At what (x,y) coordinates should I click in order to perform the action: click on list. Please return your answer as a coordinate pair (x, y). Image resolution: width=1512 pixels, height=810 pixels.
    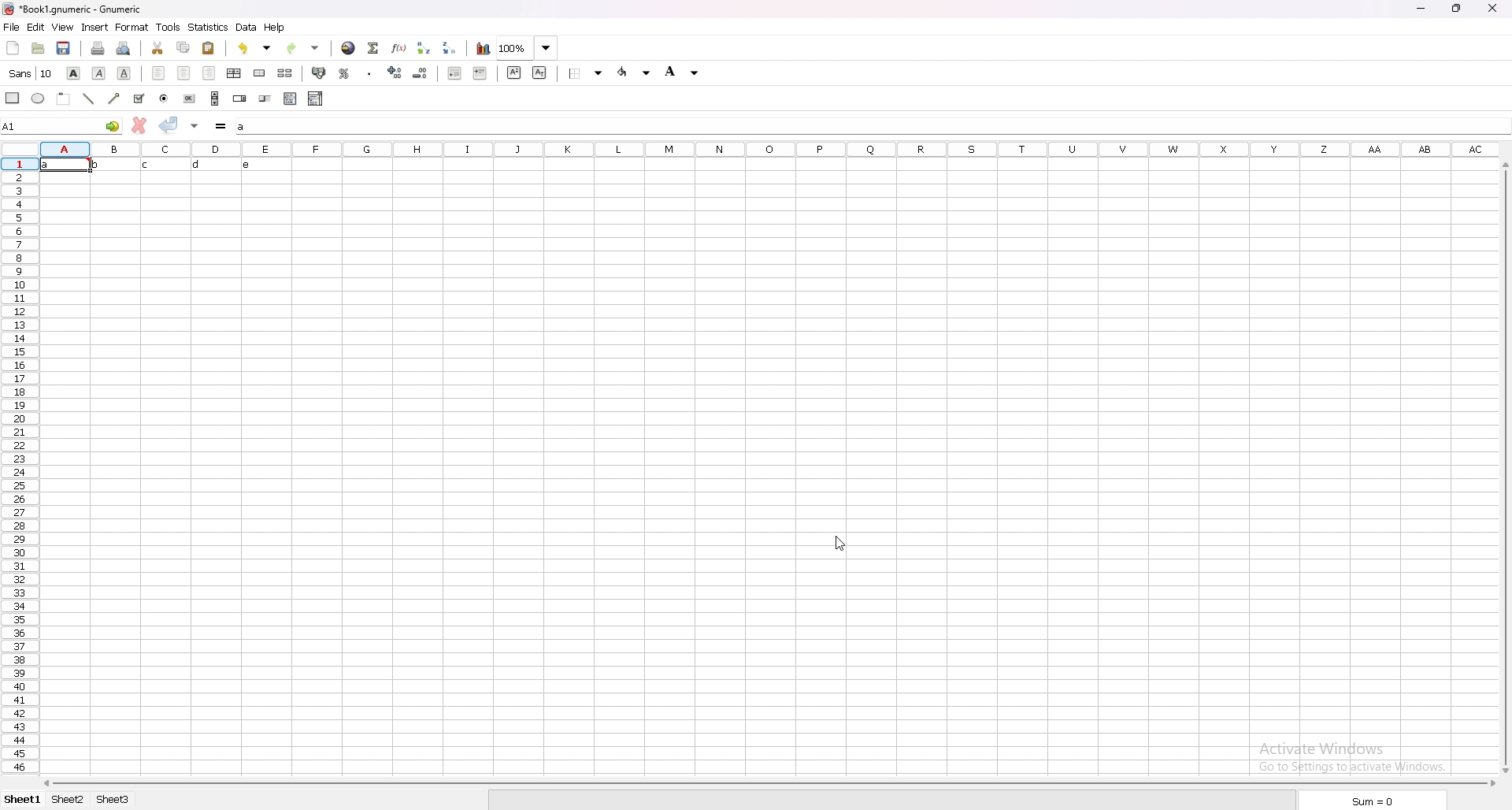
    Looking at the image, I should click on (291, 98).